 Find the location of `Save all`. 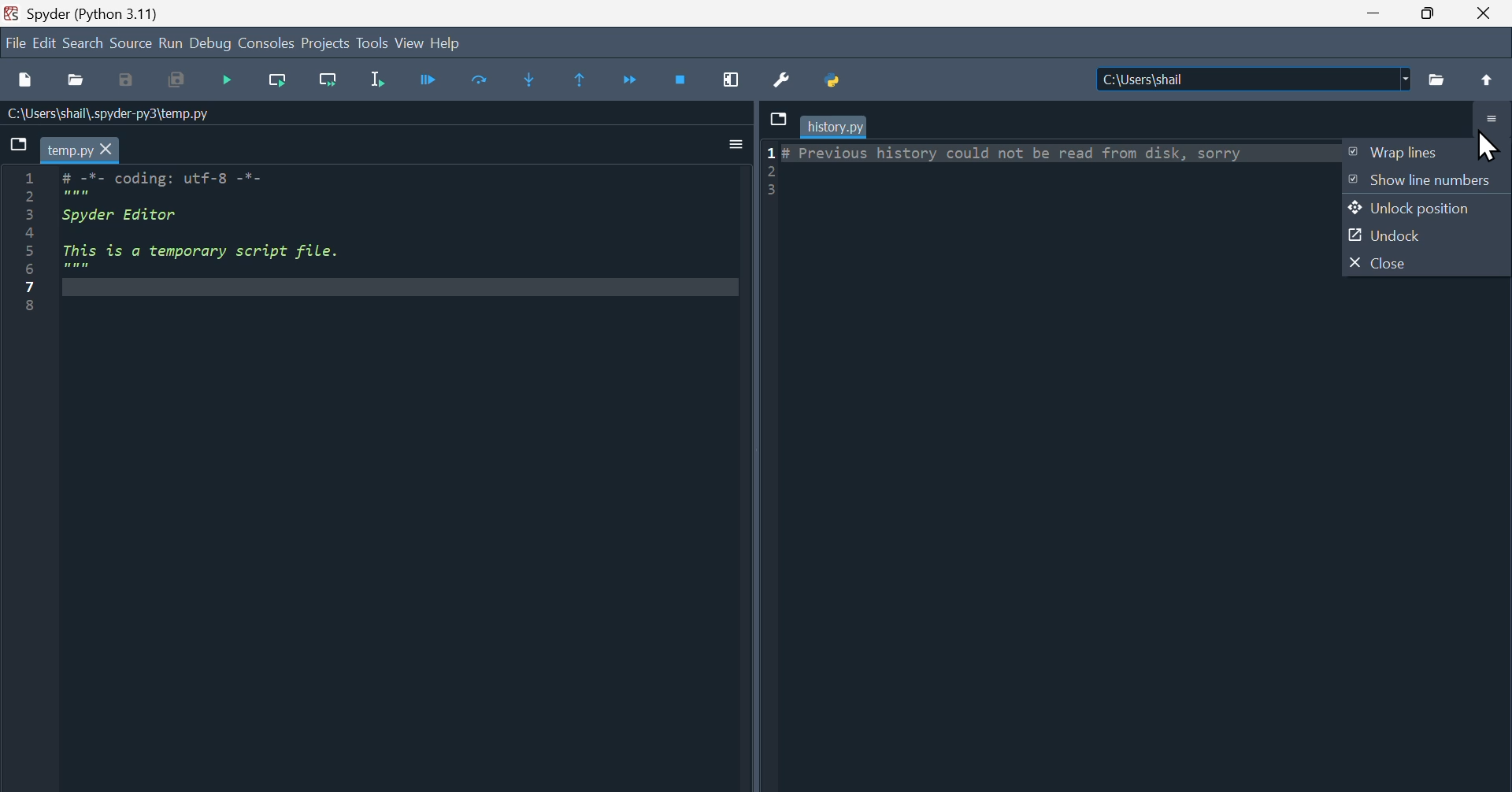

Save all is located at coordinates (180, 81).